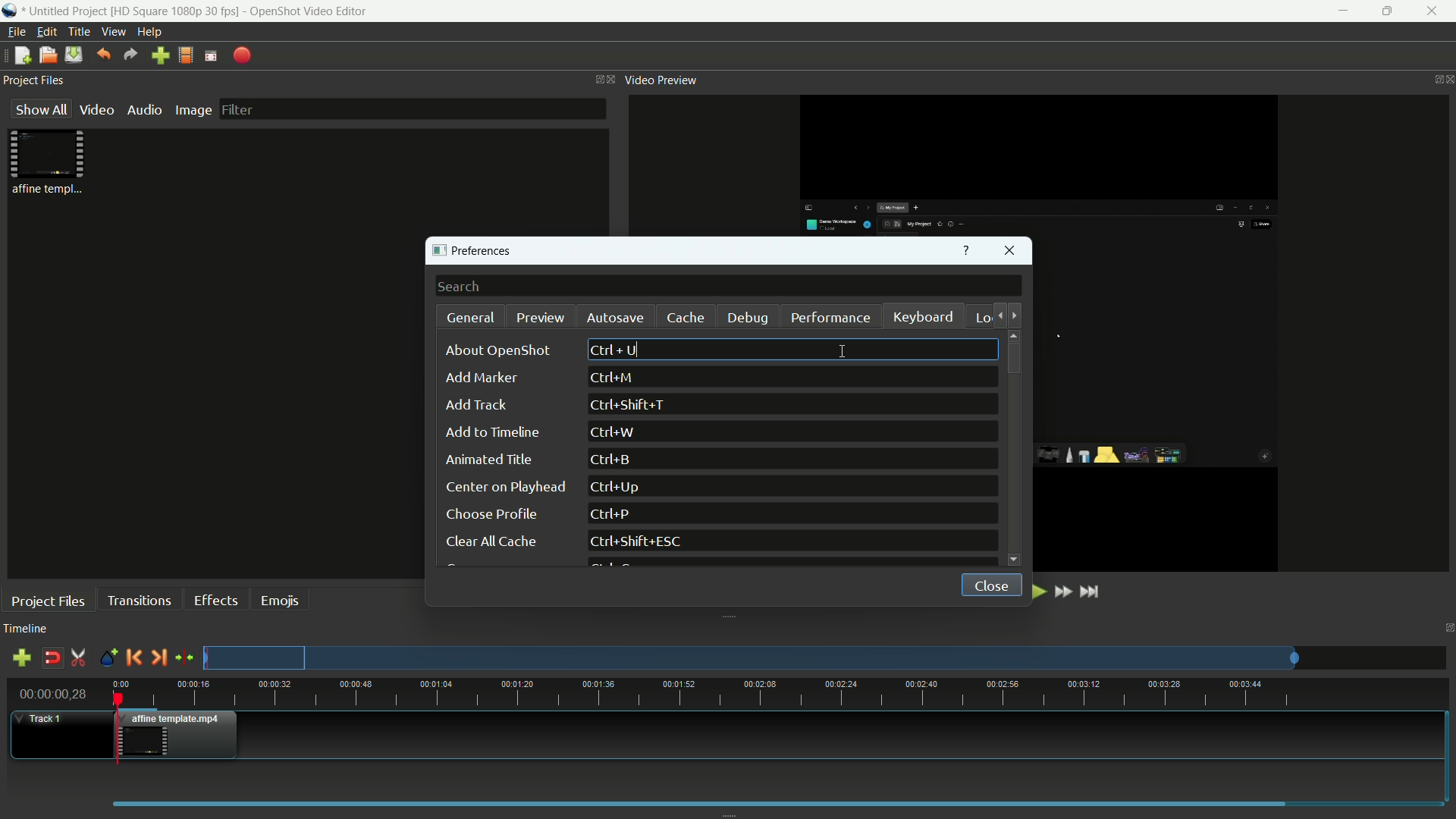 Image resolution: width=1456 pixels, height=819 pixels. Describe the element at coordinates (475, 405) in the screenshot. I see `dd track` at that location.